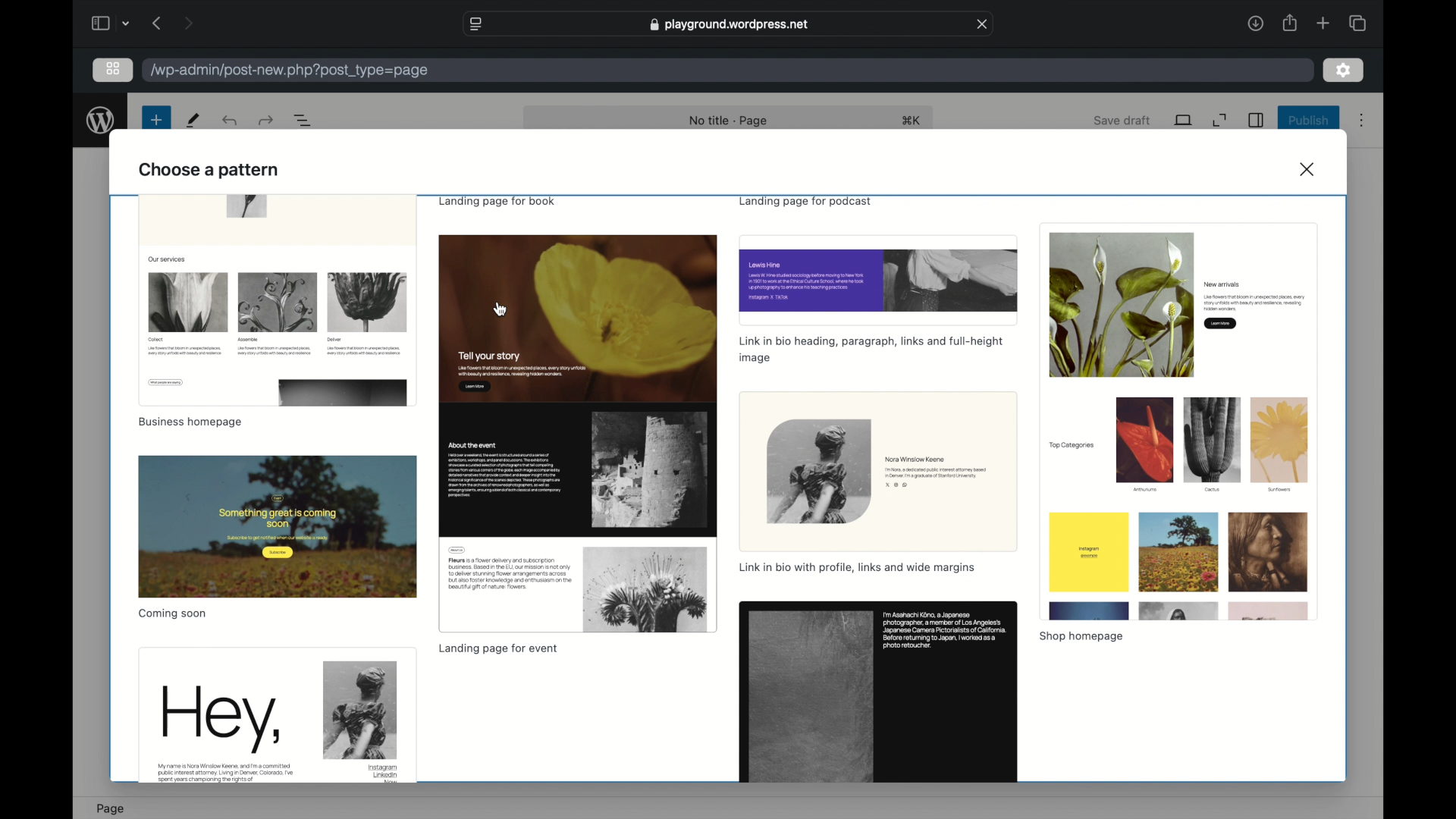  What do you see at coordinates (500, 202) in the screenshot?
I see `landing page for book` at bounding box center [500, 202].